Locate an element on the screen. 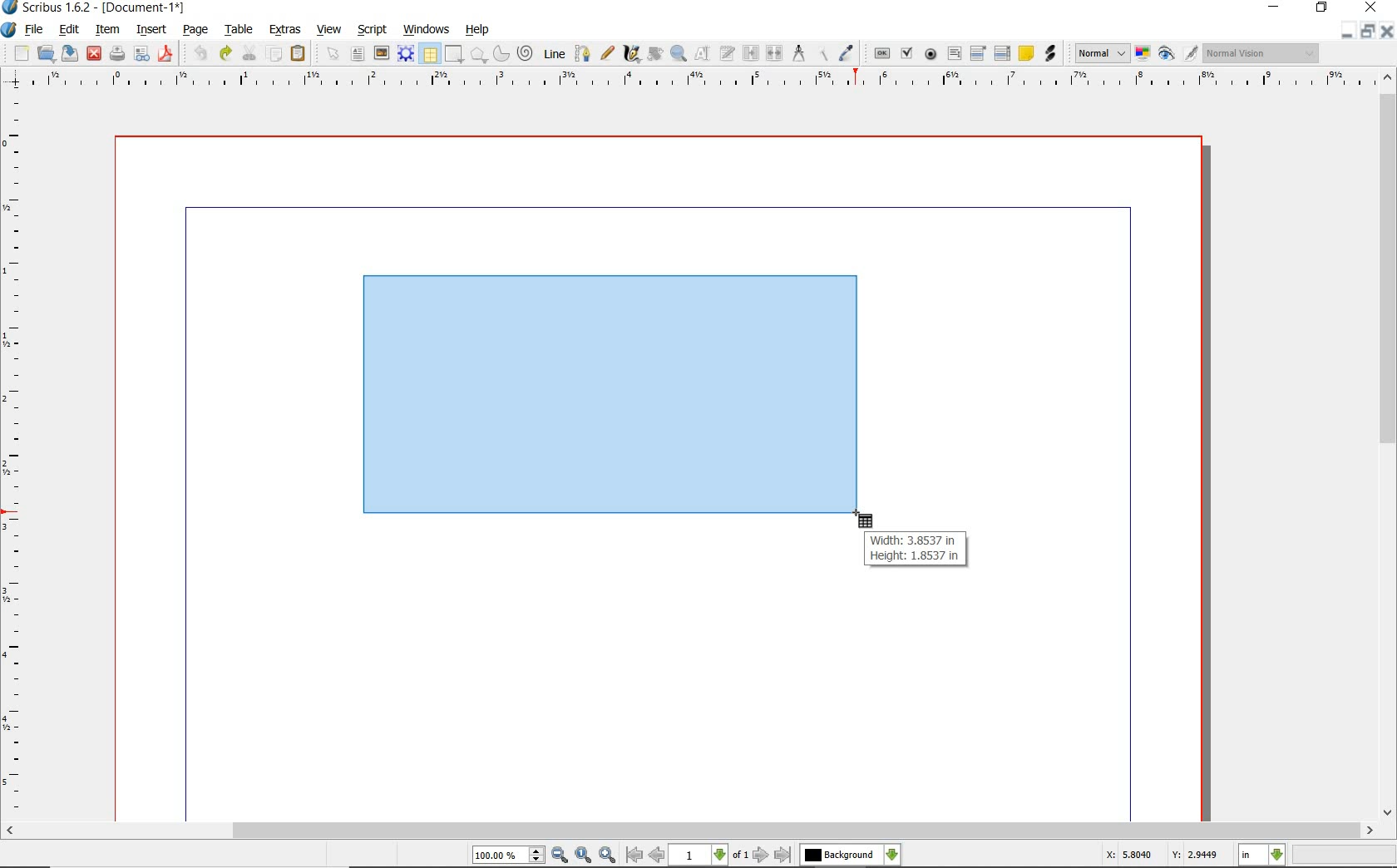 Image resolution: width=1397 pixels, height=868 pixels. image is located at coordinates (382, 54).